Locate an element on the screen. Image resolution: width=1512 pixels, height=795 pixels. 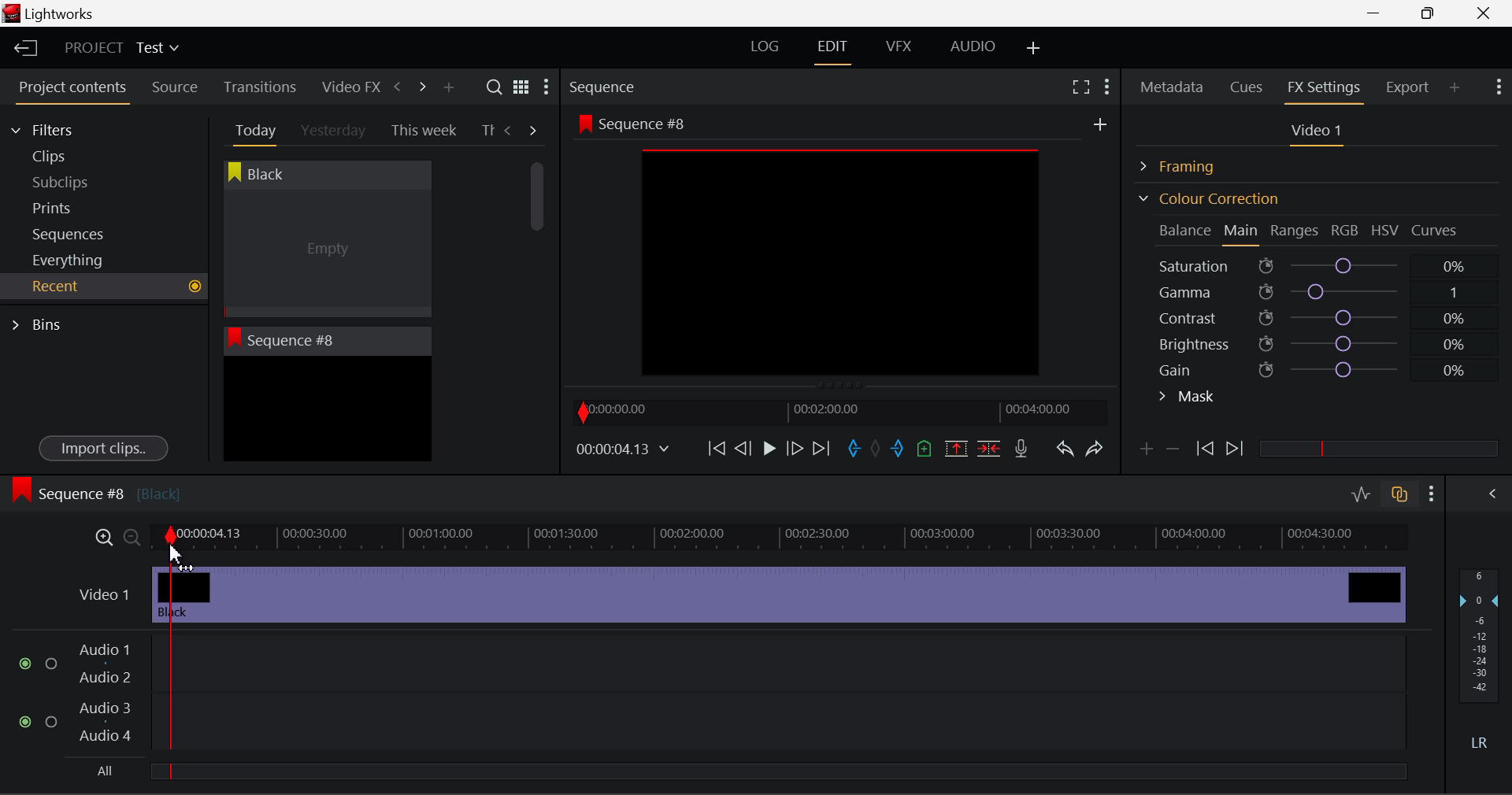
Add Panel is located at coordinates (448, 88).